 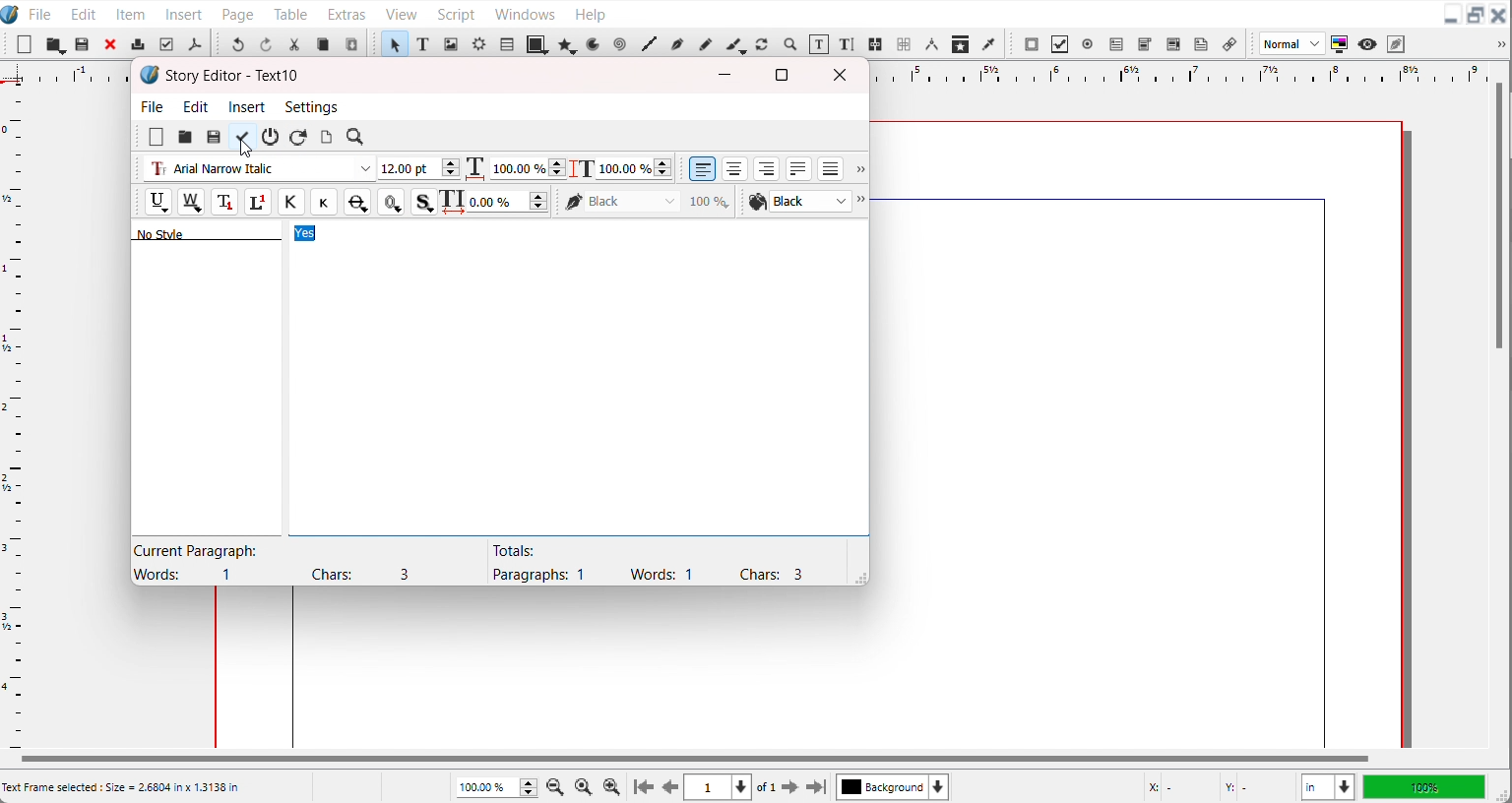 What do you see at coordinates (258, 169) in the screenshot?
I see `Font type` at bounding box center [258, 169].